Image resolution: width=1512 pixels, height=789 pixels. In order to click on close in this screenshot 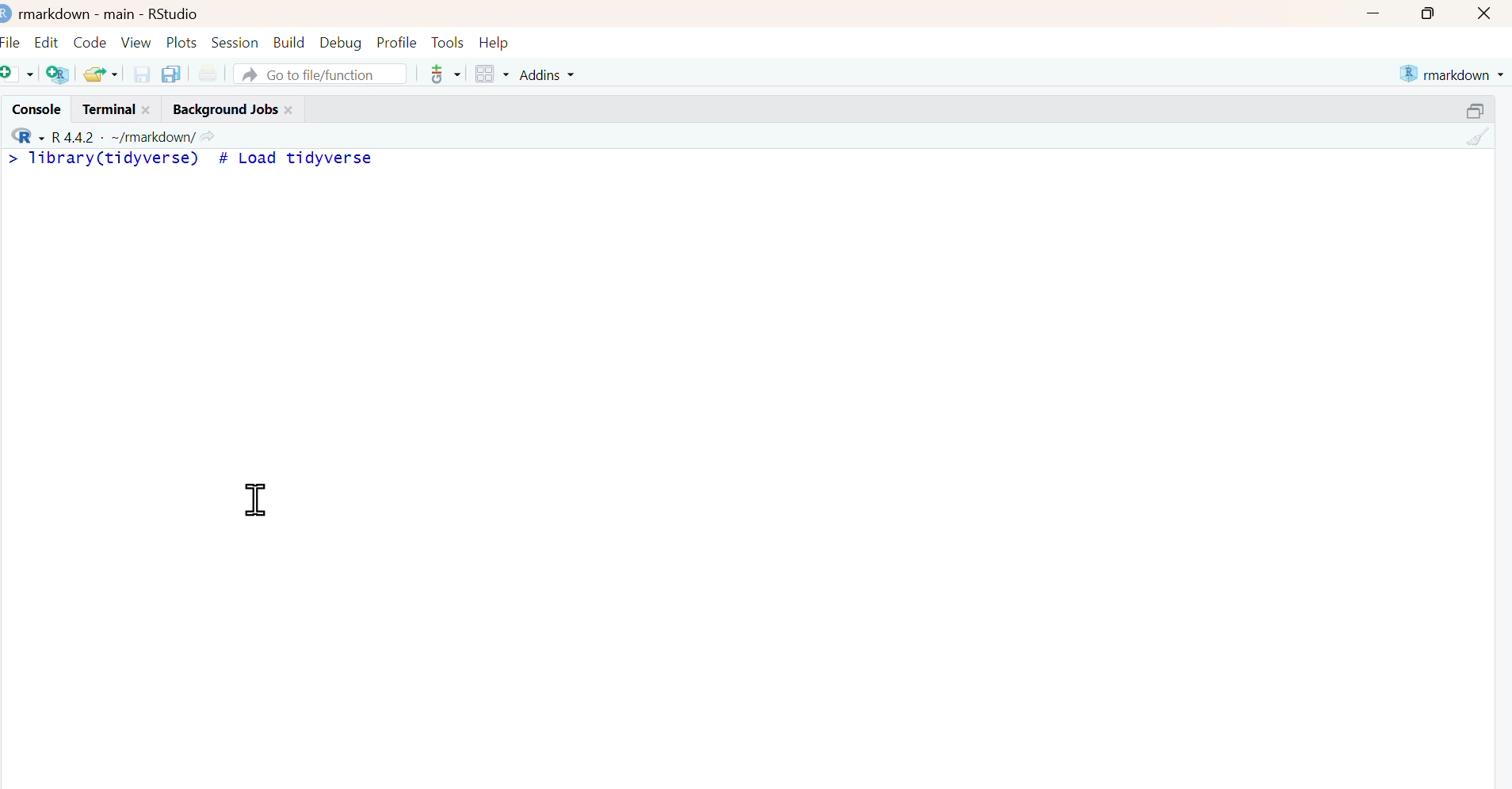, I will do `click(292, 108)`.